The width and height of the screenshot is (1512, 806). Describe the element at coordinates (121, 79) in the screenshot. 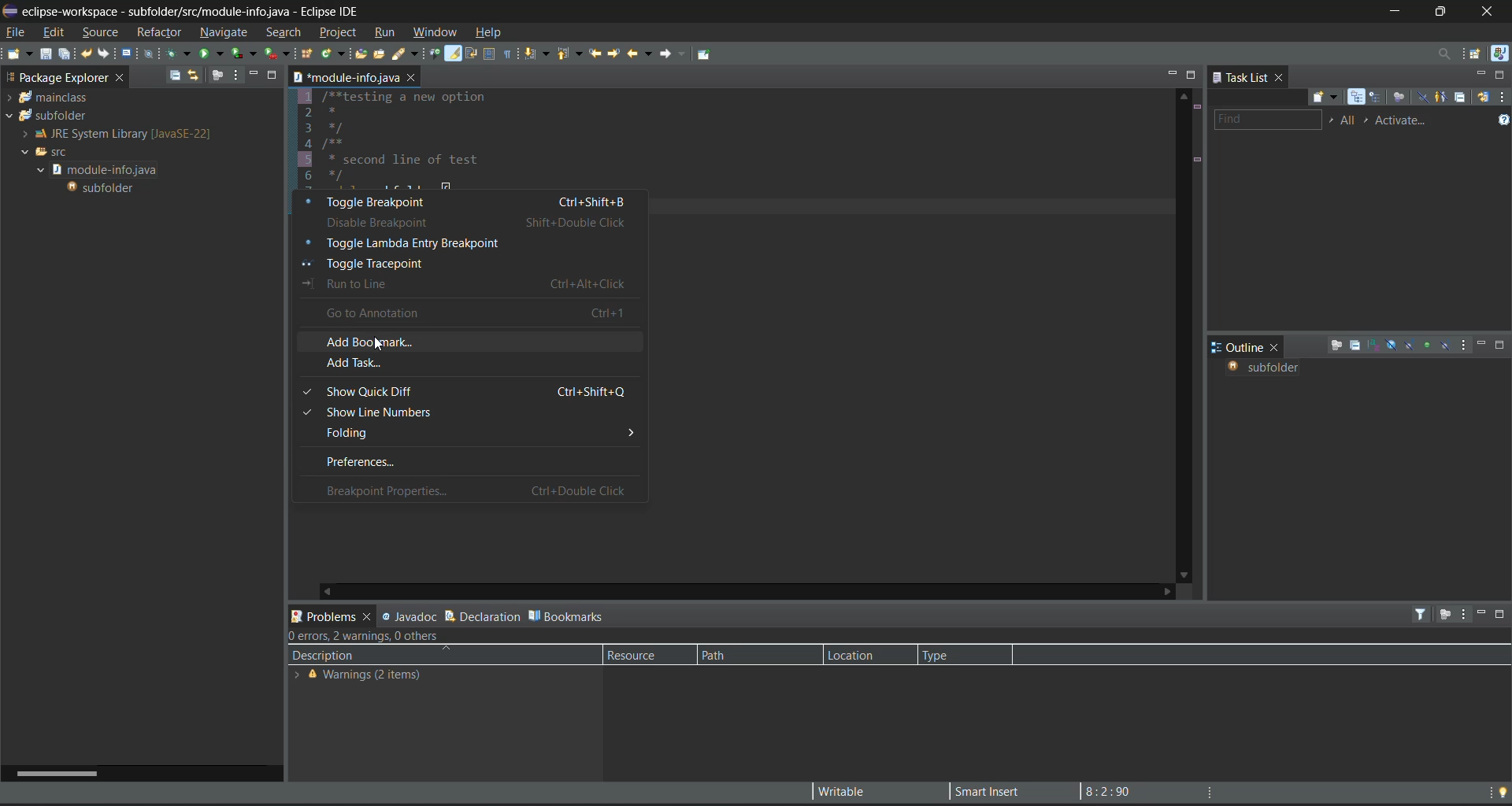

I see `close` at that location.